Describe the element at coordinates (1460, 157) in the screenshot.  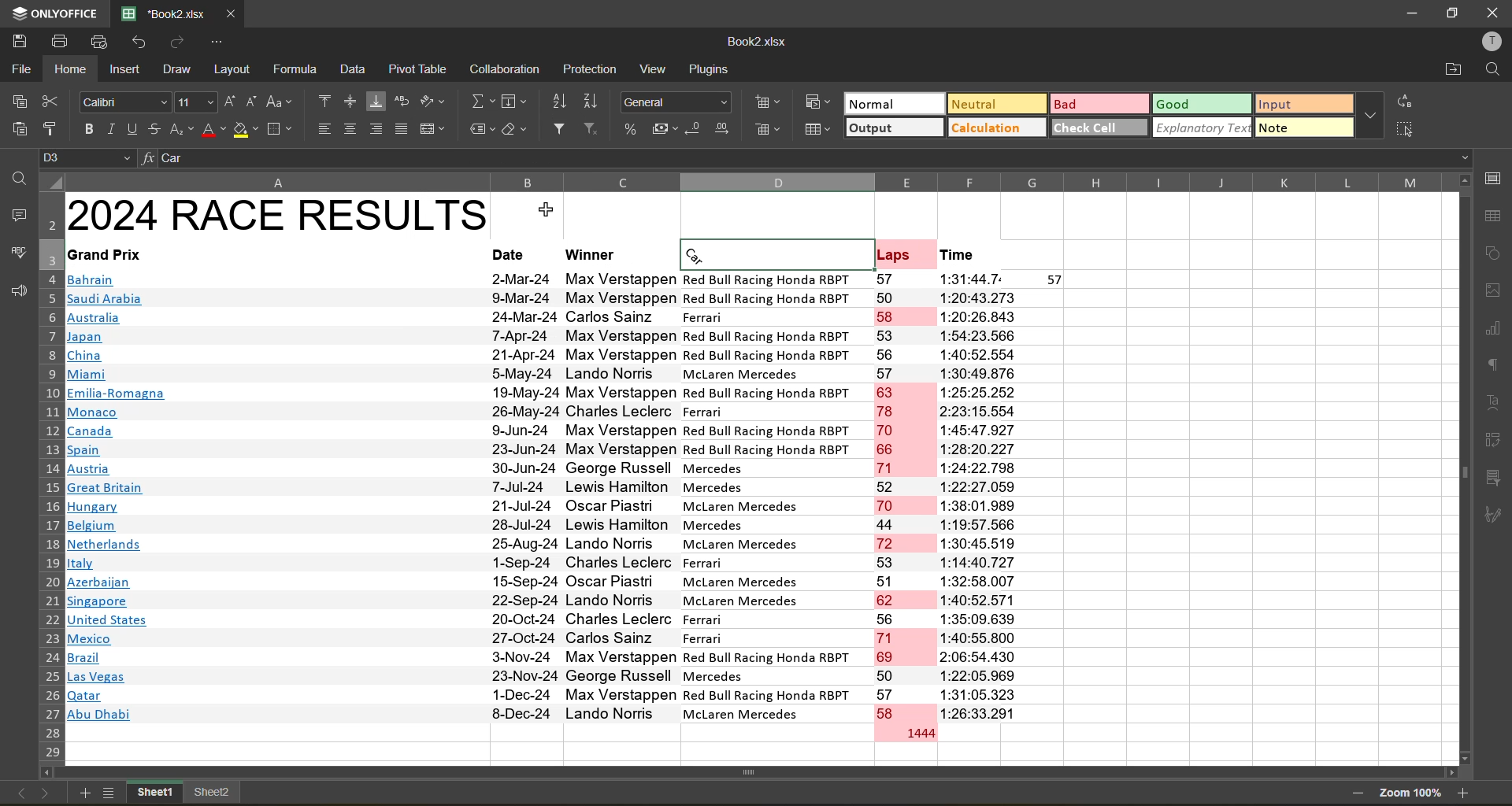
I see `Drop down` at that location.